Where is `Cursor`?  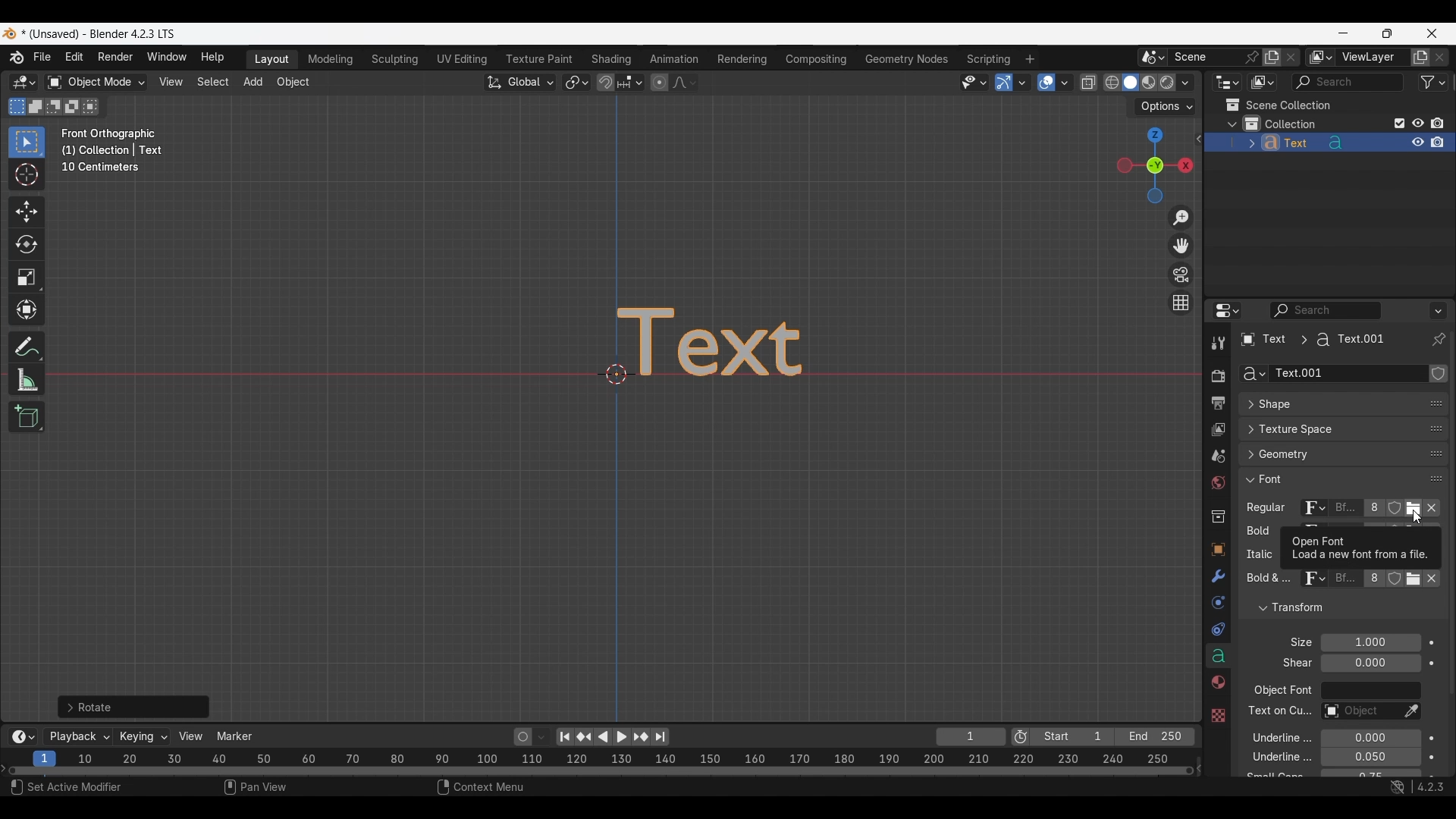
Cursor is located at coordinates (27, 176).